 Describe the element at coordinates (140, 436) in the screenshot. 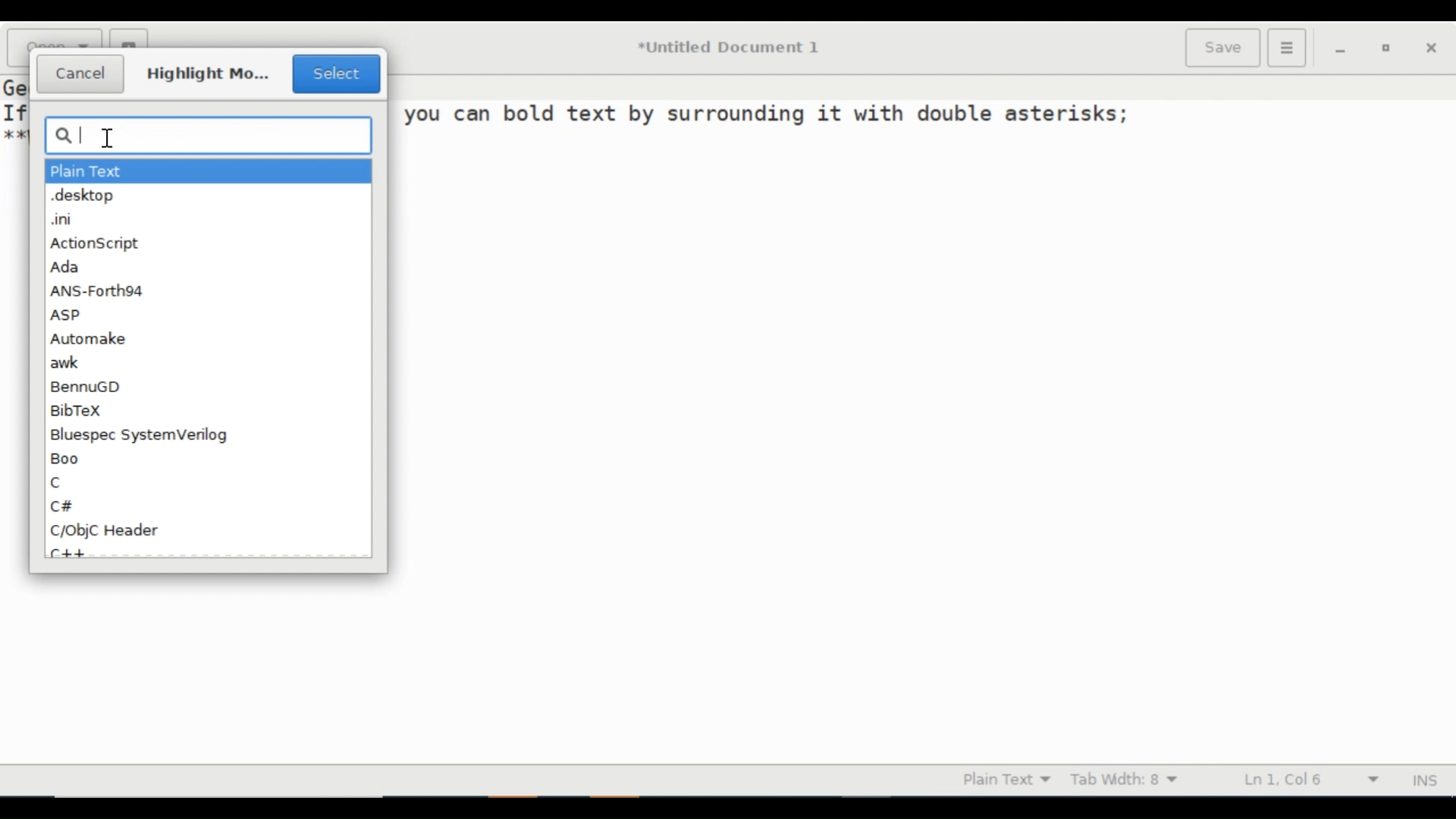

I see `Bluespec SystemVerilog` at that location.